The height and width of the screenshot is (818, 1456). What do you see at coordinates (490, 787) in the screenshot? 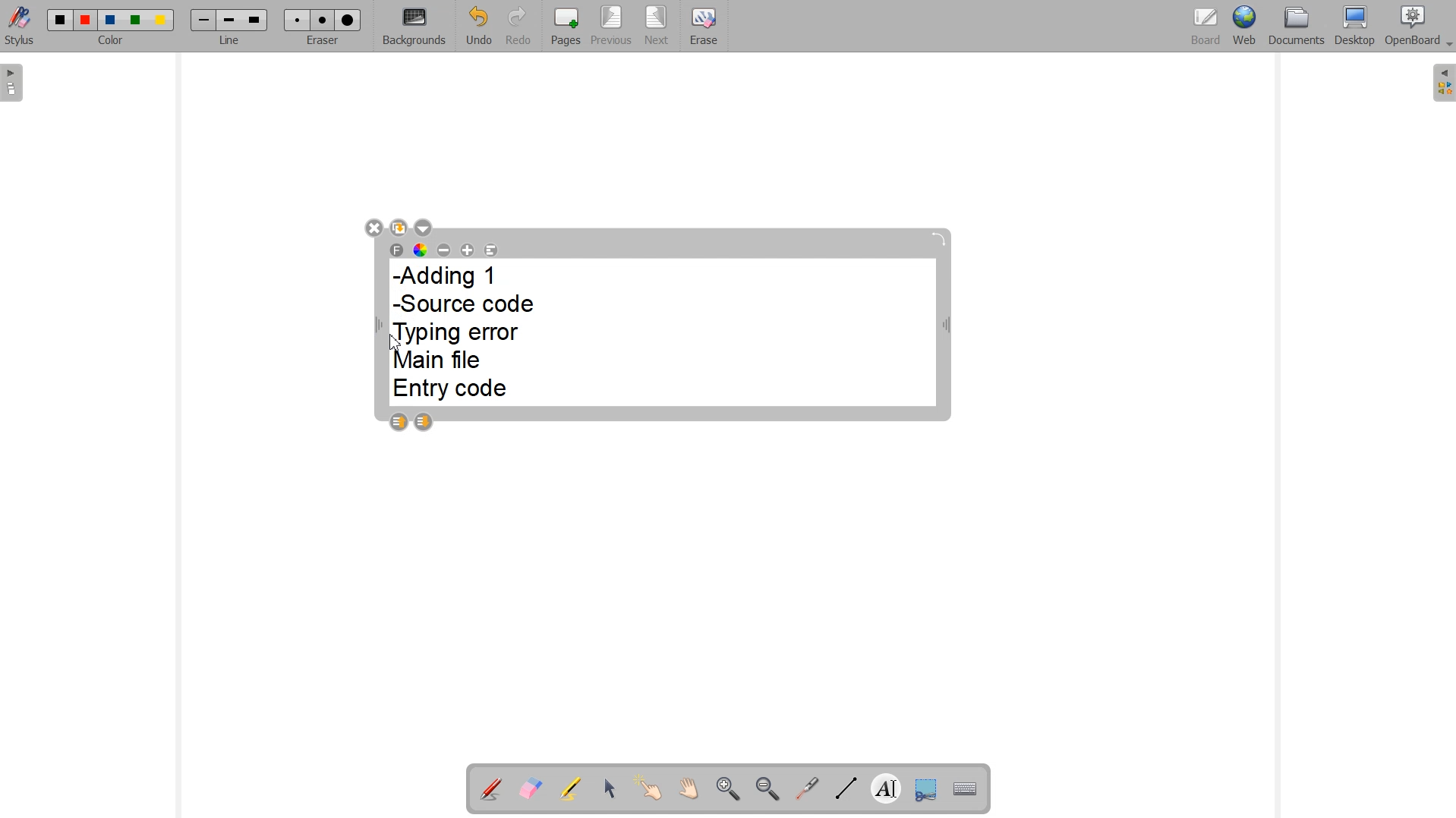
I see `Annotation document` at bounding box center [490, 787].